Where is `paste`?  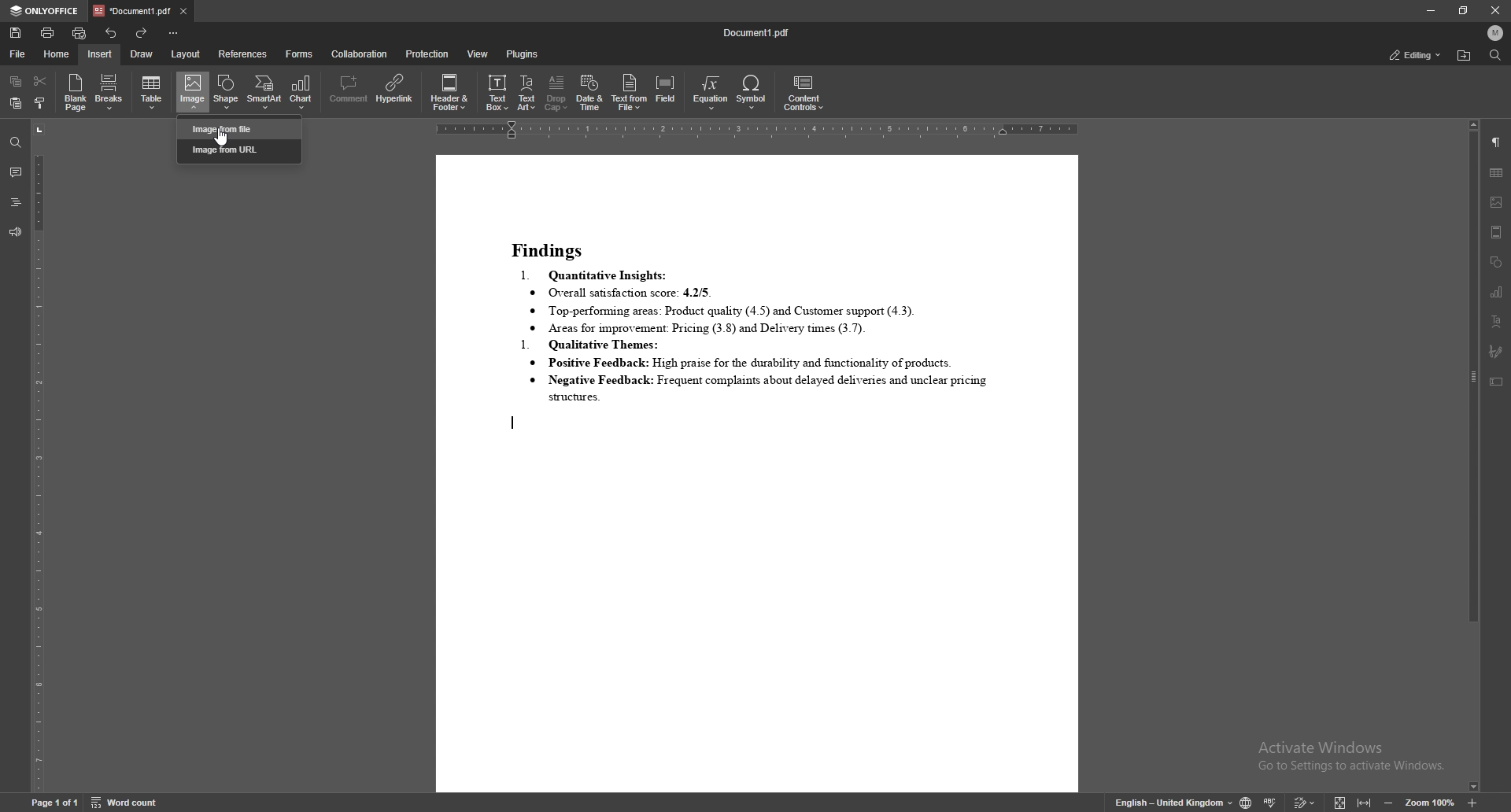 paste is located at coordinates (15, 103).